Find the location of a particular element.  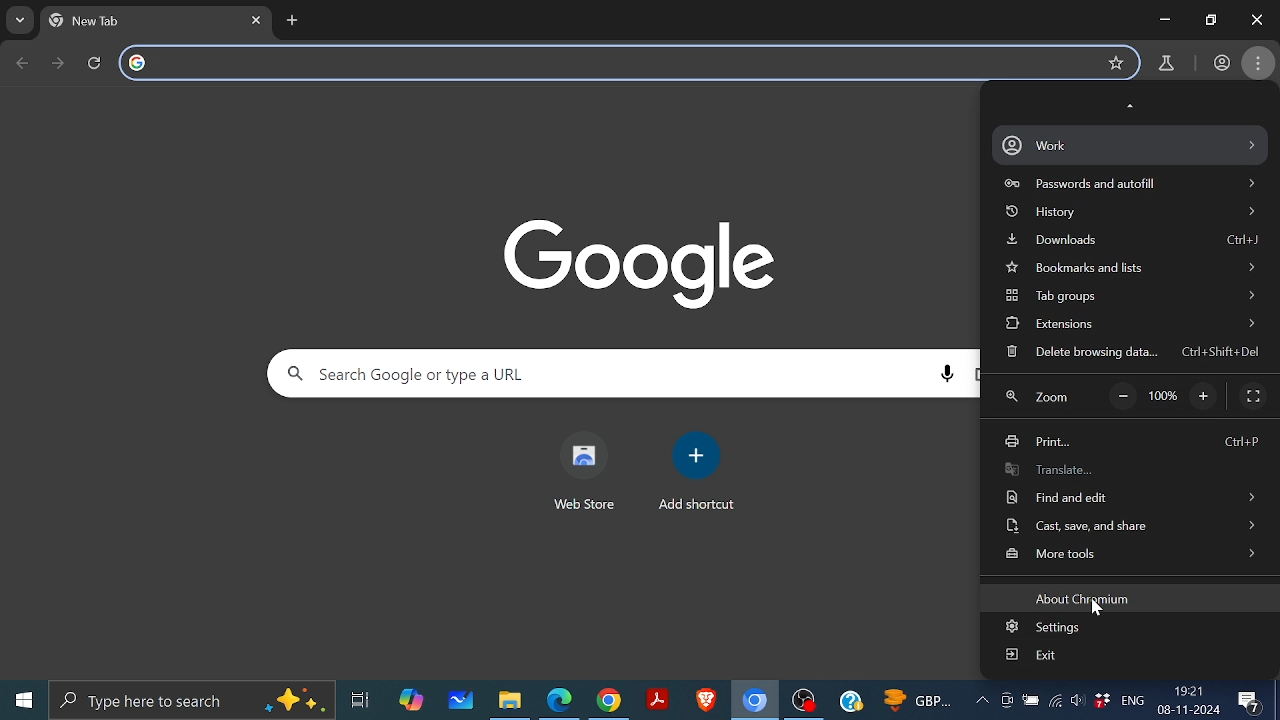

Add shortcut is located at coordinates (699, 454).